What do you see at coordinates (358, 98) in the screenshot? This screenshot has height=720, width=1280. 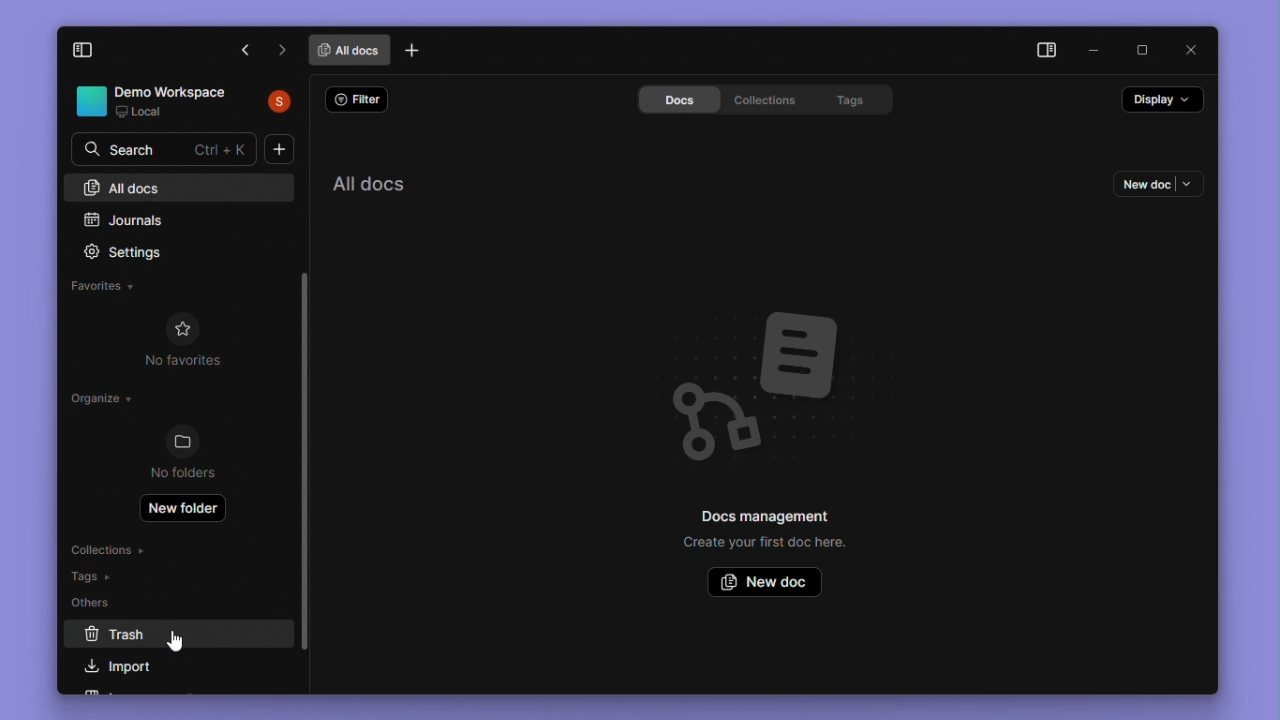 I see `Filter` at bounding box center [358, 98].